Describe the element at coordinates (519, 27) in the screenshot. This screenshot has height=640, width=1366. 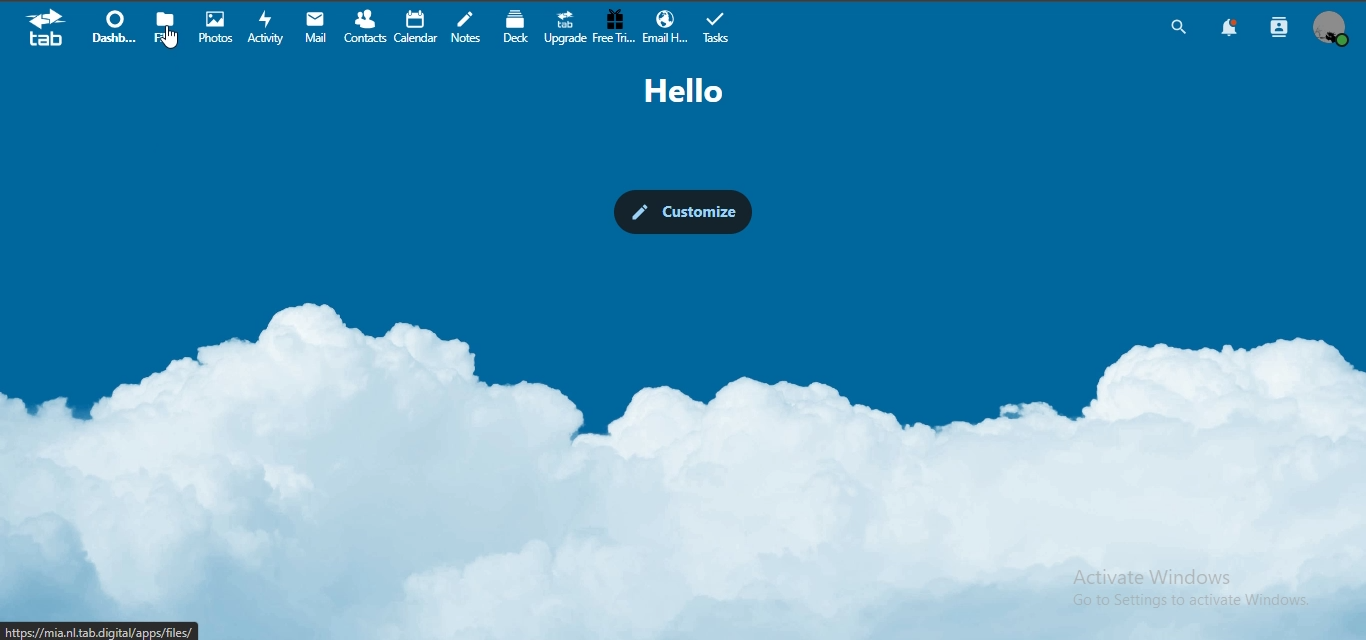
I see `deck` at that location.